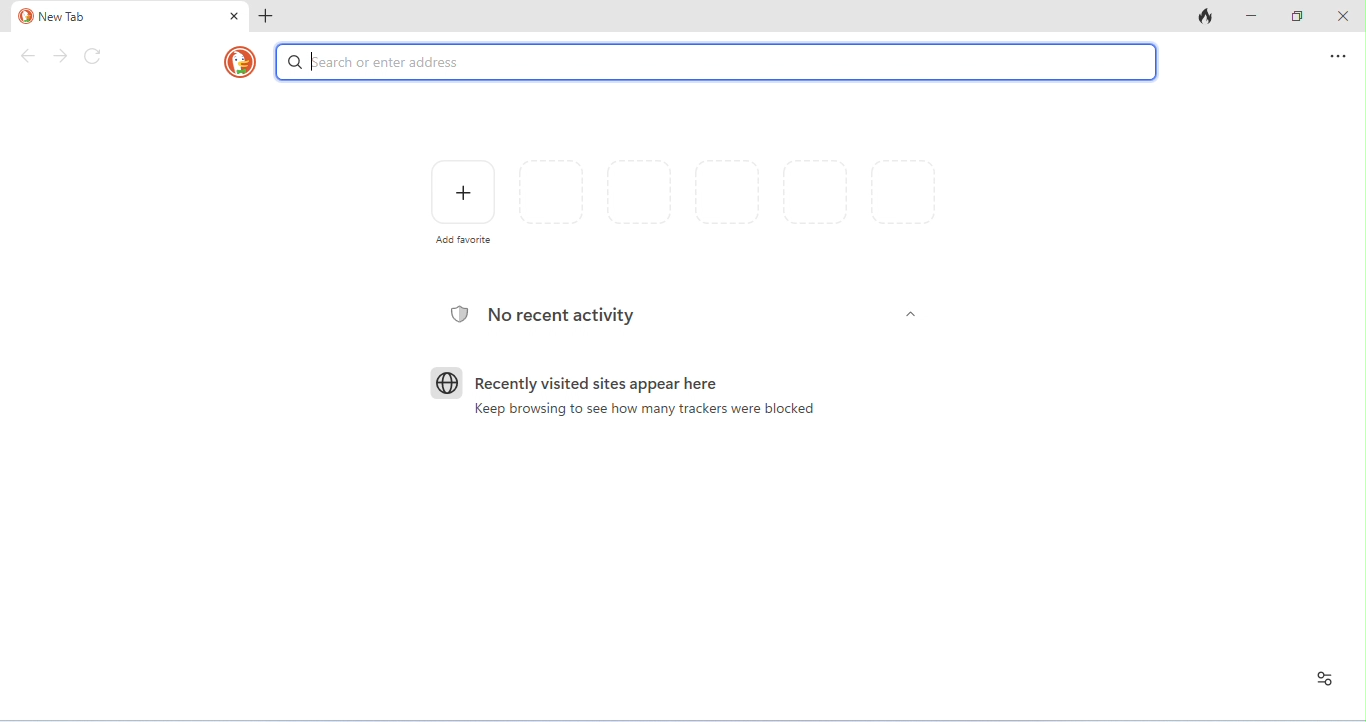  Describe the element at coordinates (597, 384) in the screenshot. I see `recently visited sites will appear here` at that location.